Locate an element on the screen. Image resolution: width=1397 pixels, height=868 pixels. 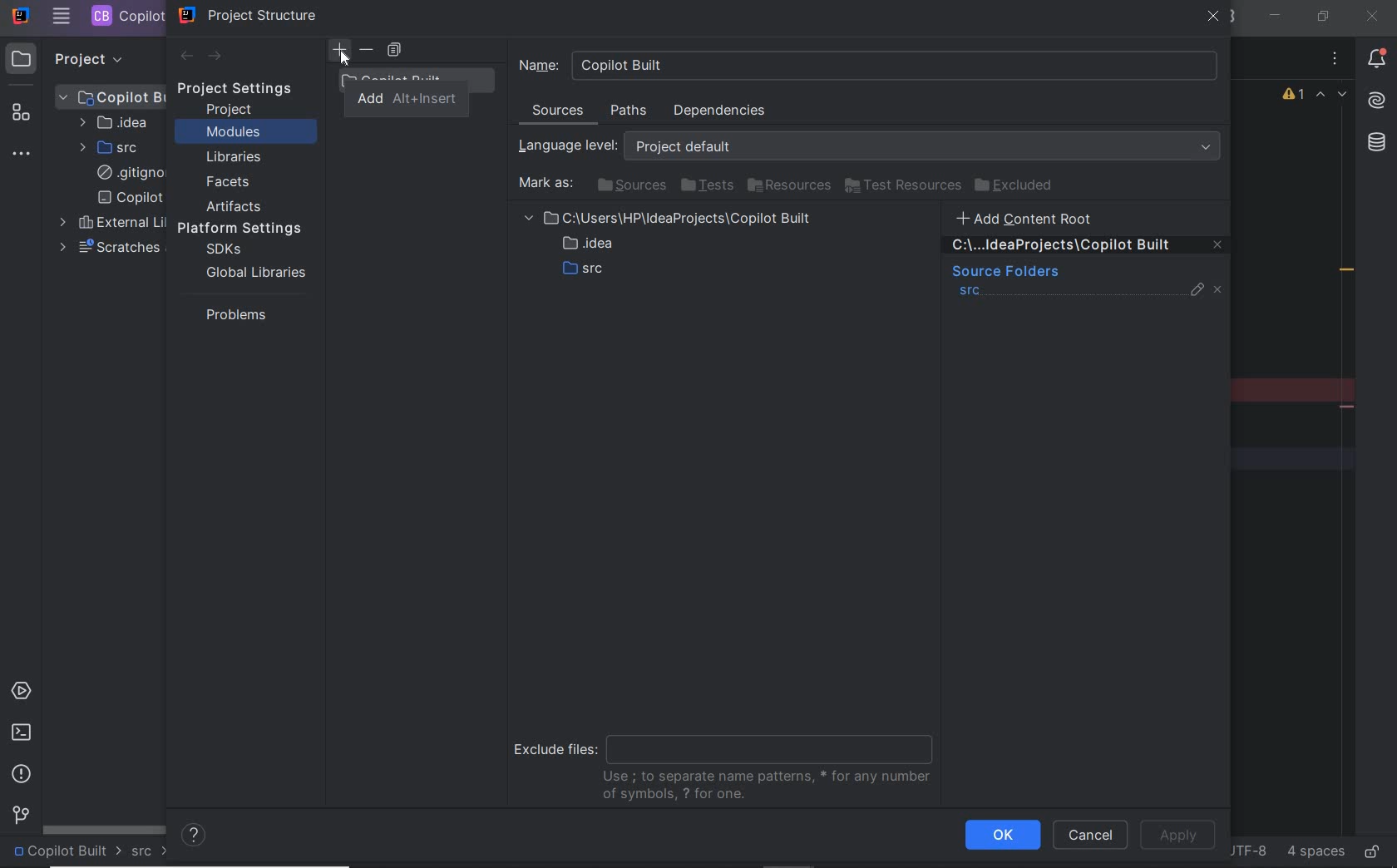
add content root is located at coordinates (1034, 218).